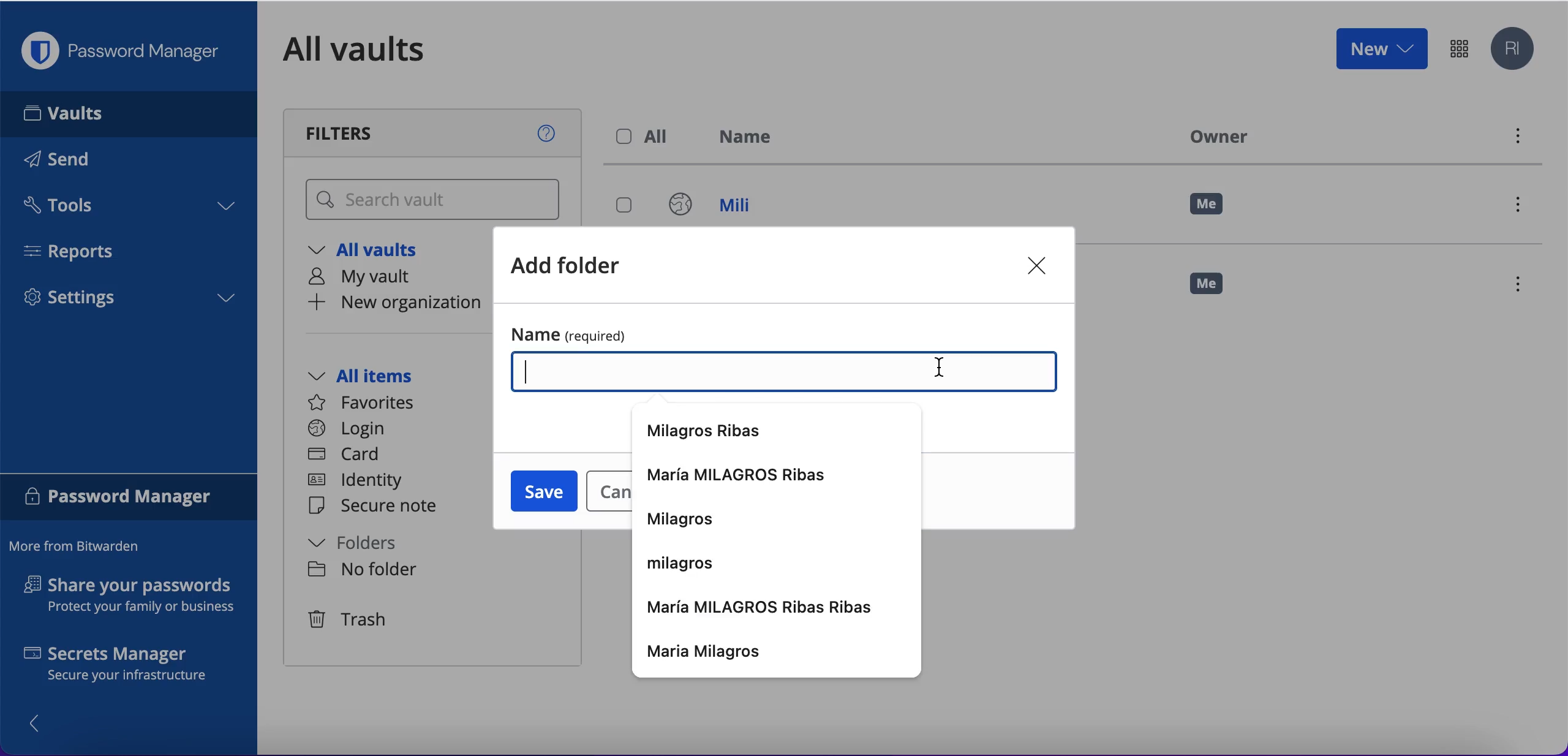 Image resolution: width=1568 pixels, height=756 pixels. I want to click on select login mili, so click(625, 206).